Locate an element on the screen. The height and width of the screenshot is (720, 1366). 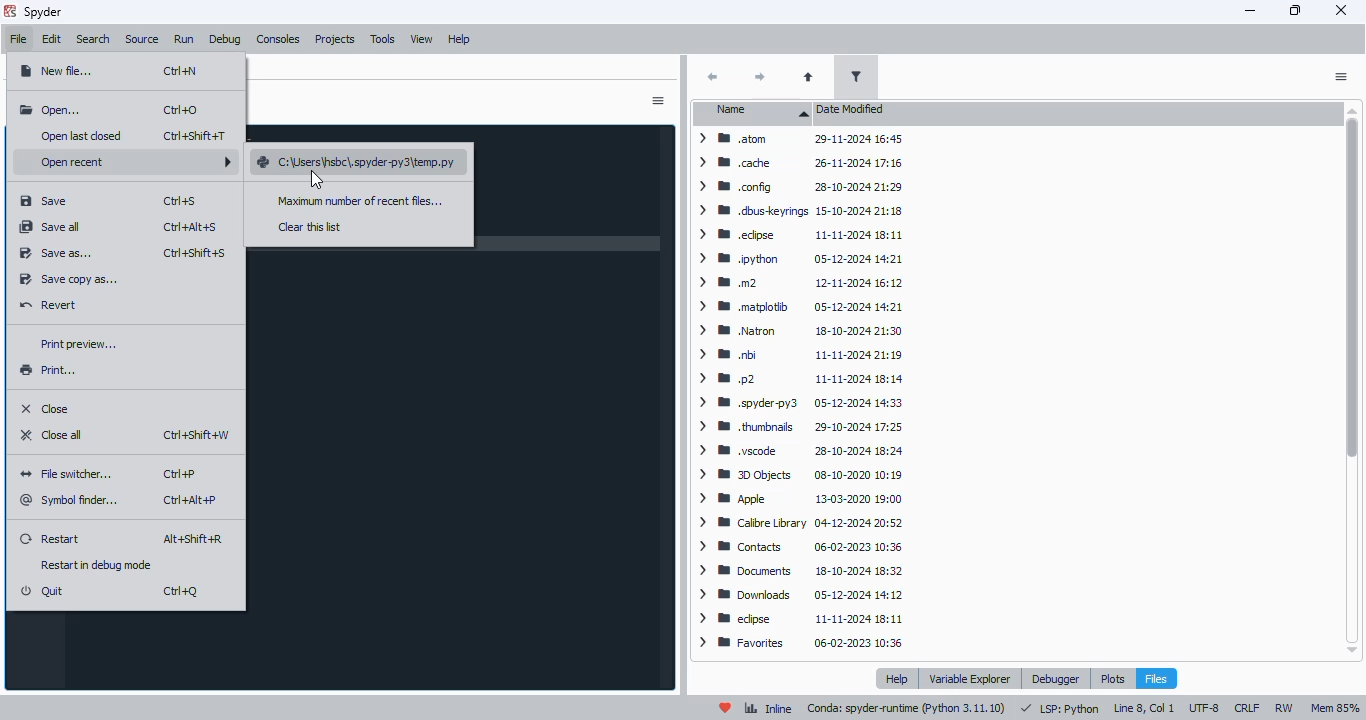
variable explorer is located at coordinates (971, 678).